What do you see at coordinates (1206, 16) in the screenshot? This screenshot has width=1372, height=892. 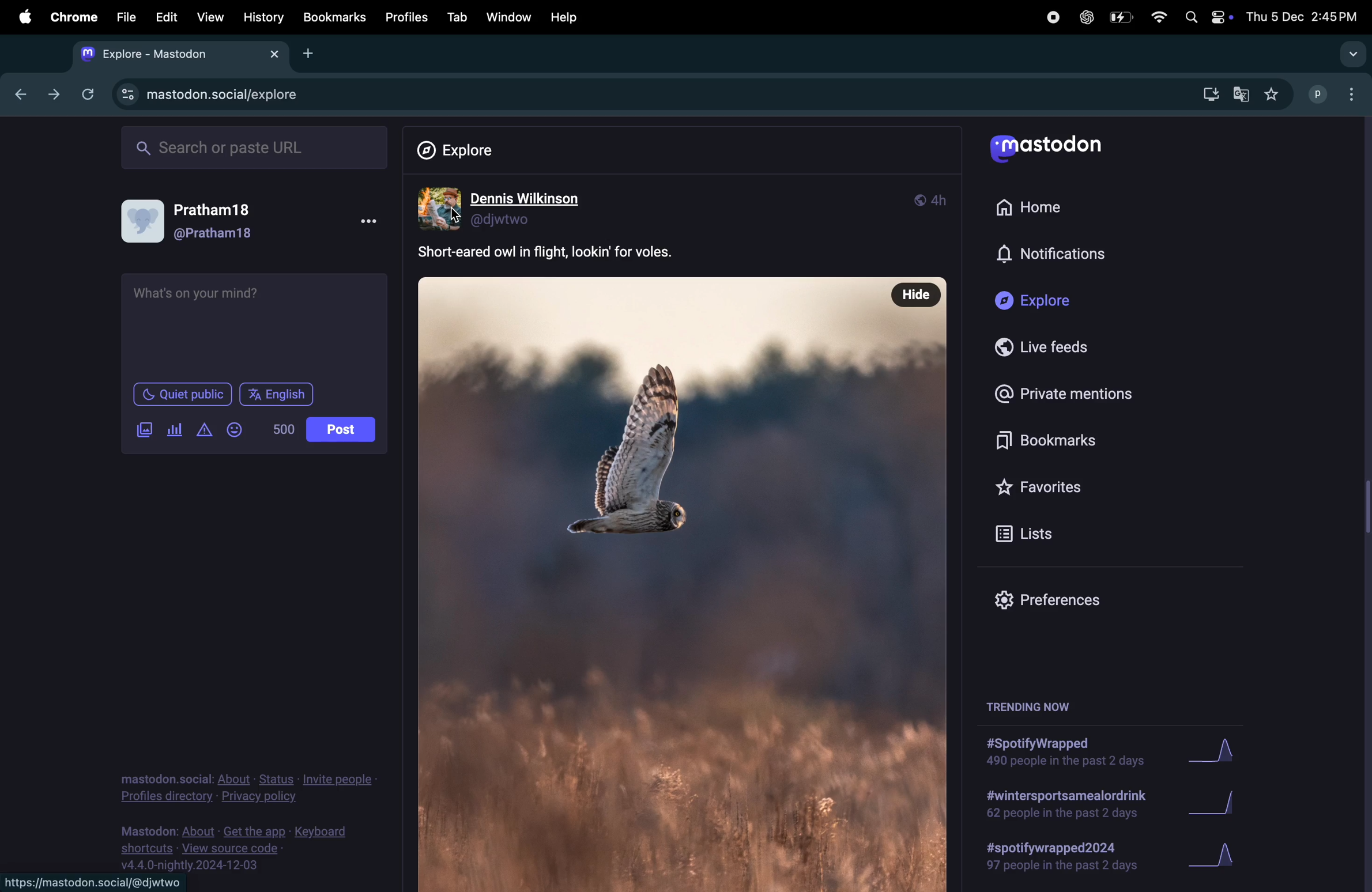 I see `apple widgets` at bounding box center [1206, 16].